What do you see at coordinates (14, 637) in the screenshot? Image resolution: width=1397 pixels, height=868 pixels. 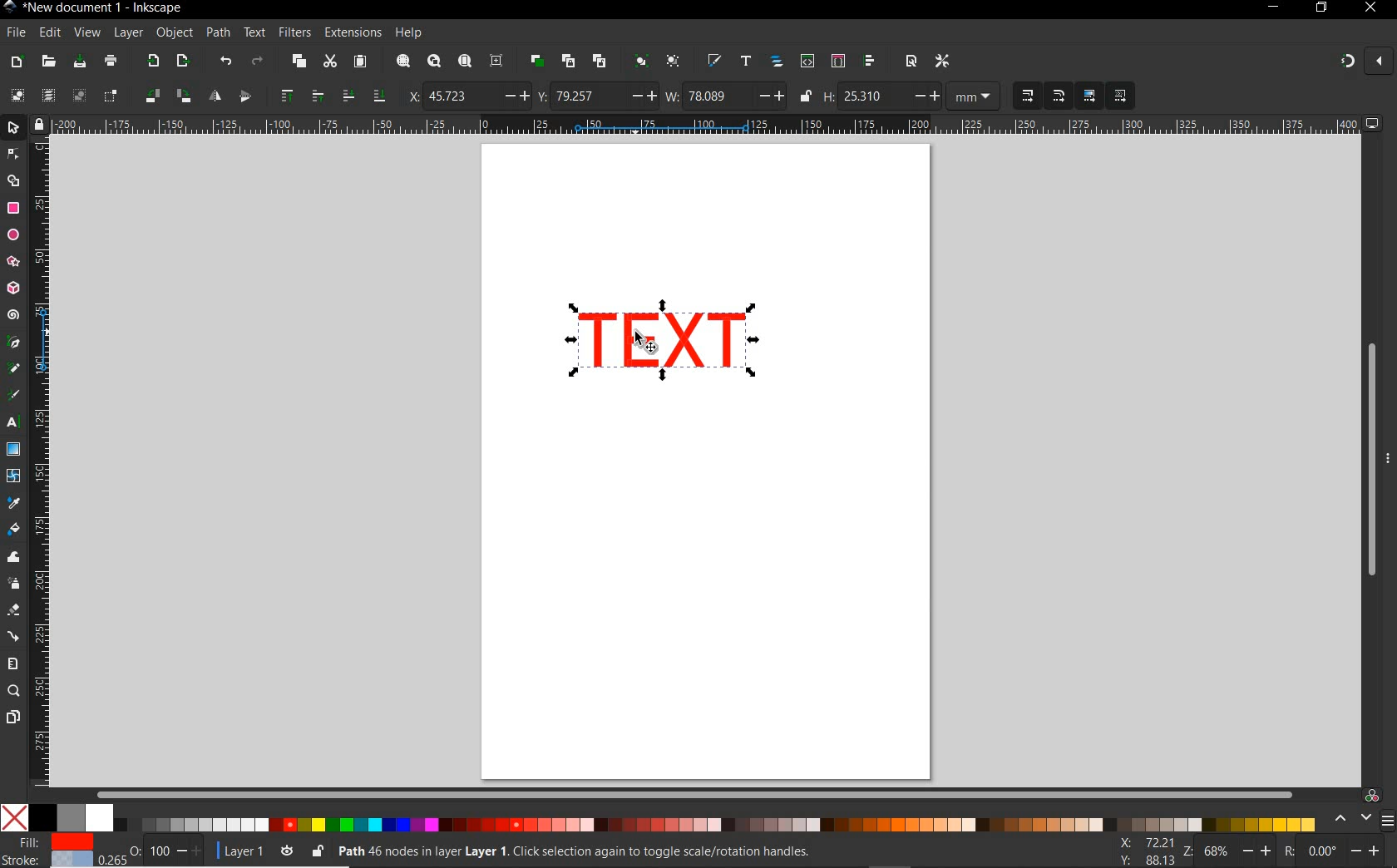 I see `CONNECTOR TOOL` at bounding box center [14, 637].